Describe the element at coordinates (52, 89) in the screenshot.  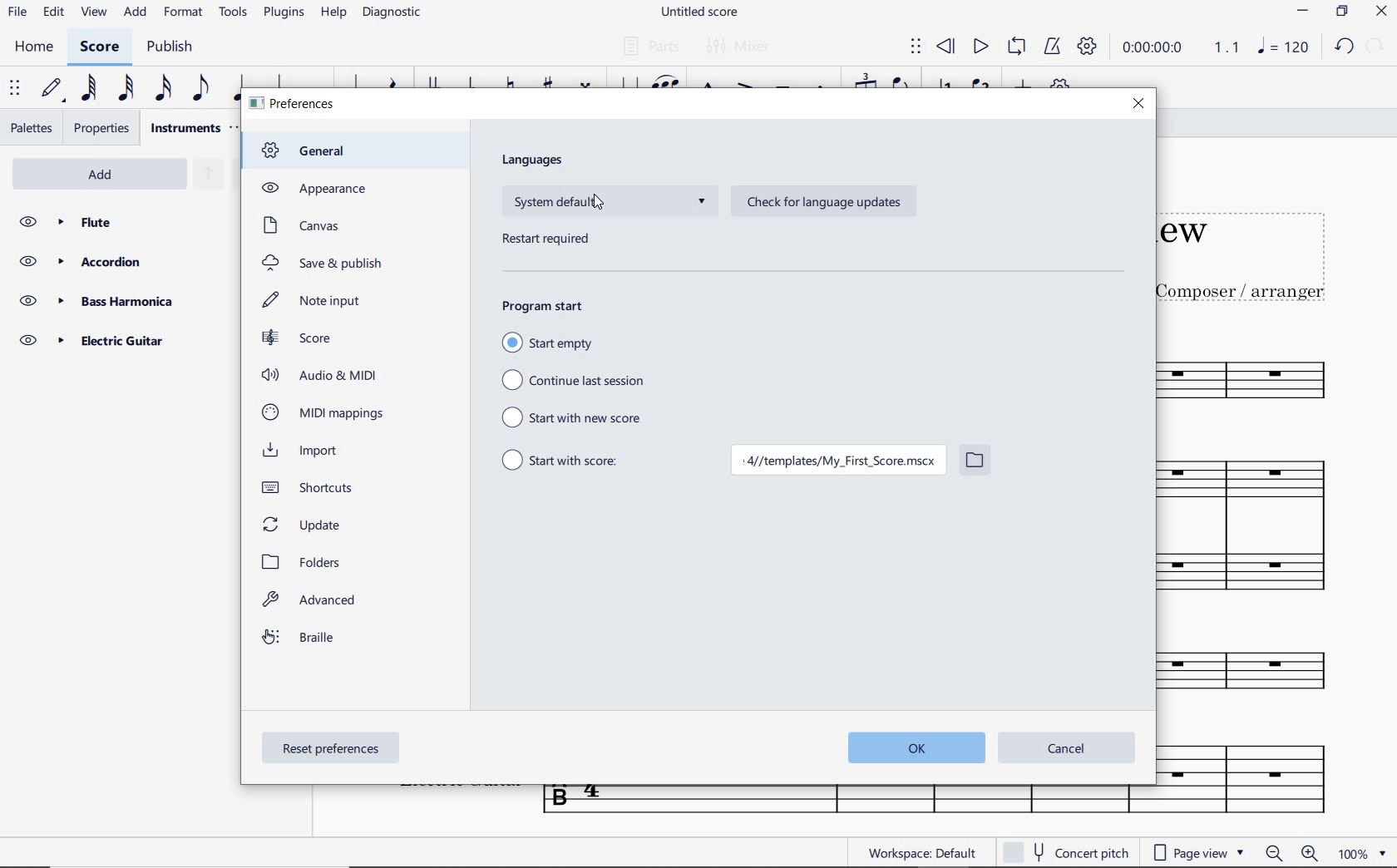
I see `default (step time)` at that location.